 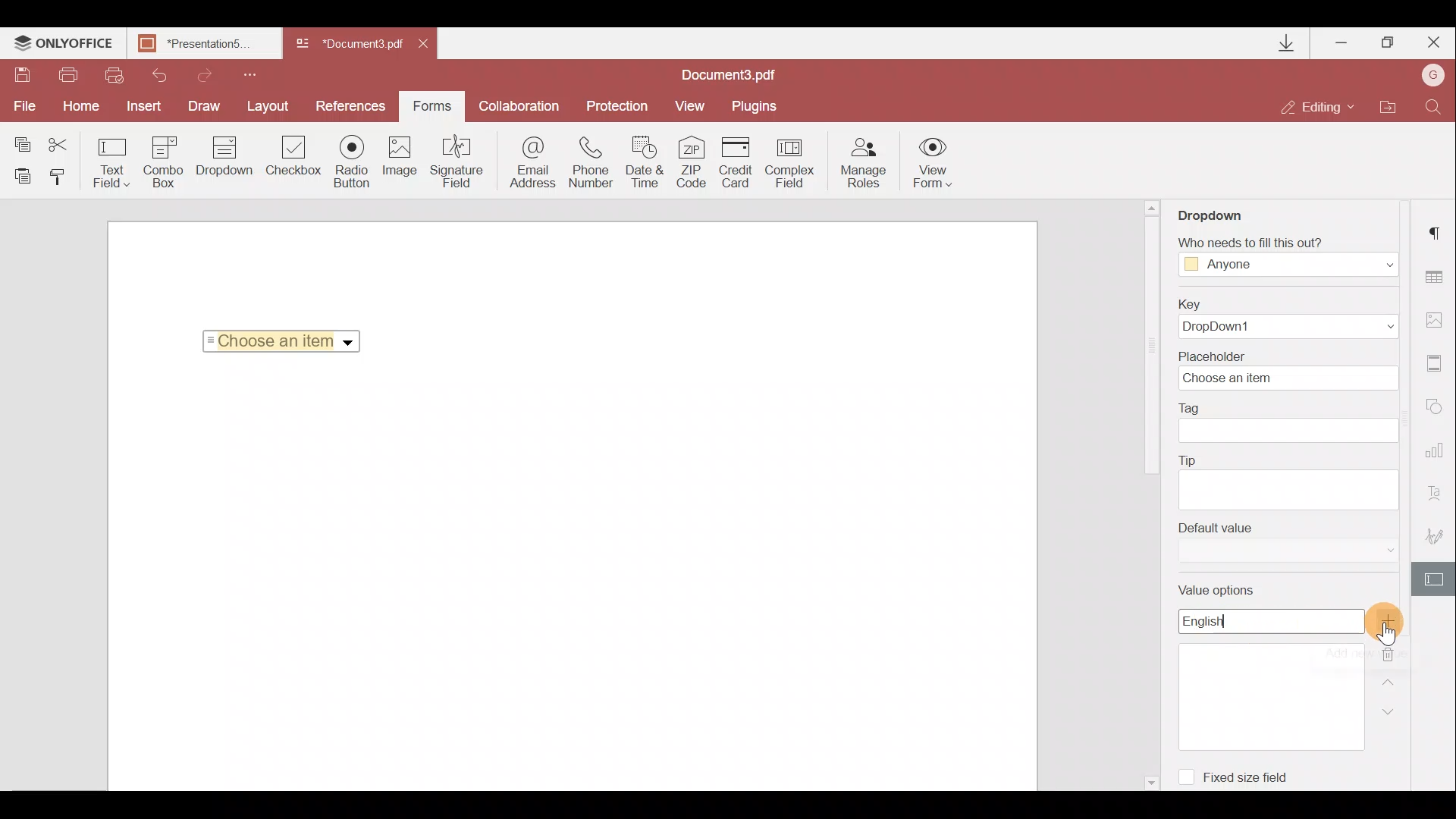 I want to click on Document3.pdf, so click(x=747, y=74).